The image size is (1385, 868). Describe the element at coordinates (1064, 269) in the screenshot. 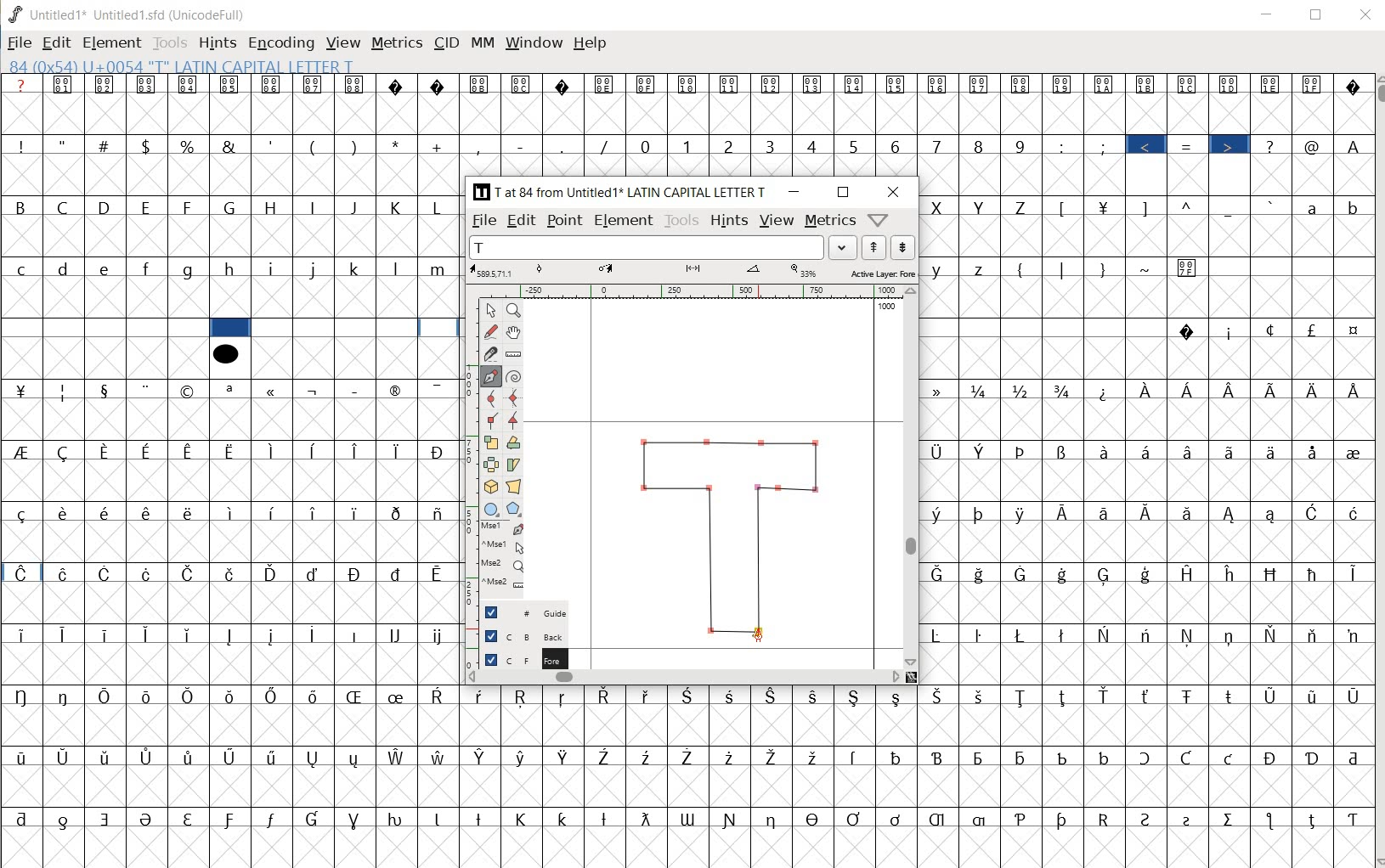

I see `|` at that location.